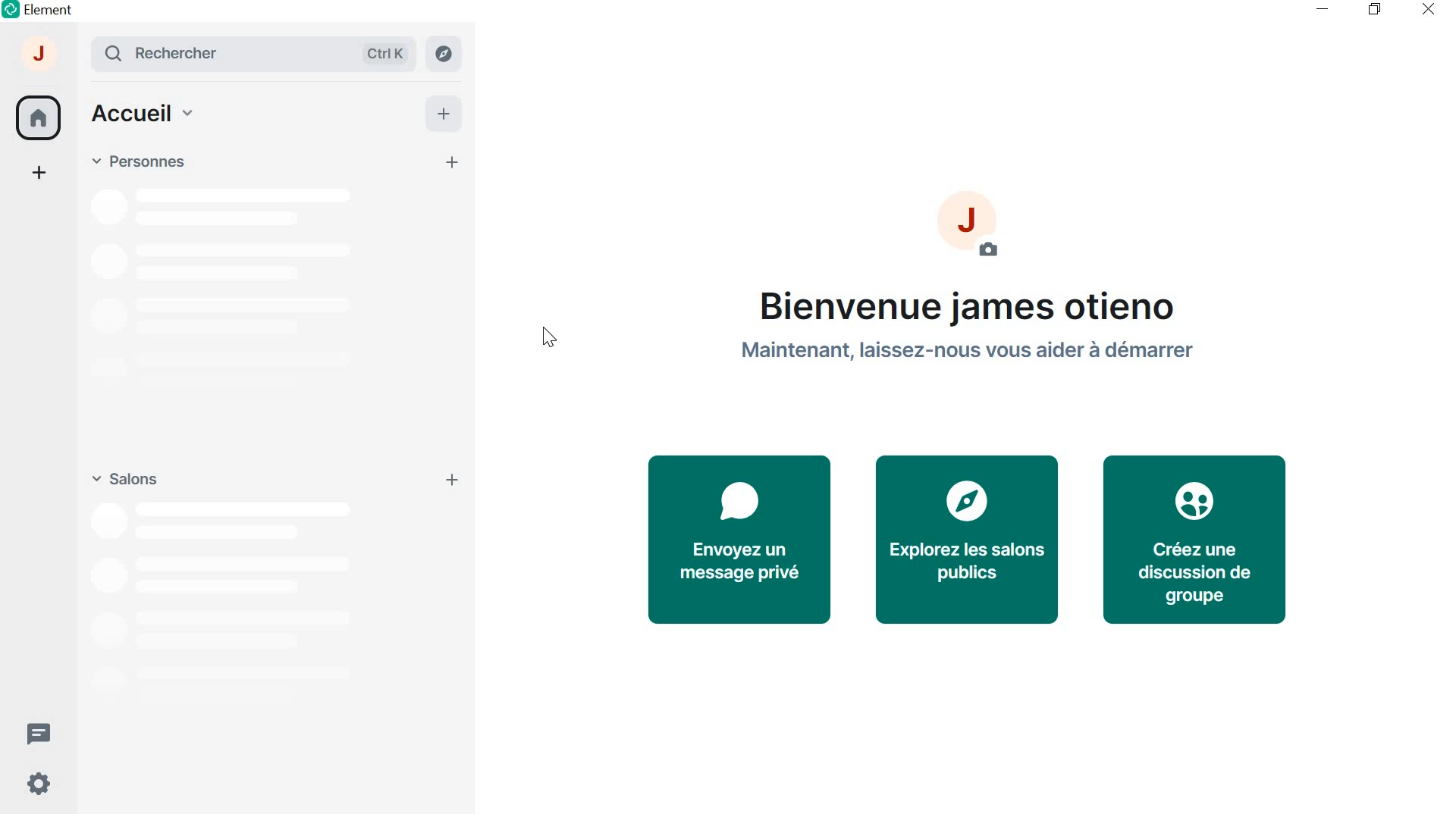  I want to click on CREATE A SPACE, so click(40, 175).